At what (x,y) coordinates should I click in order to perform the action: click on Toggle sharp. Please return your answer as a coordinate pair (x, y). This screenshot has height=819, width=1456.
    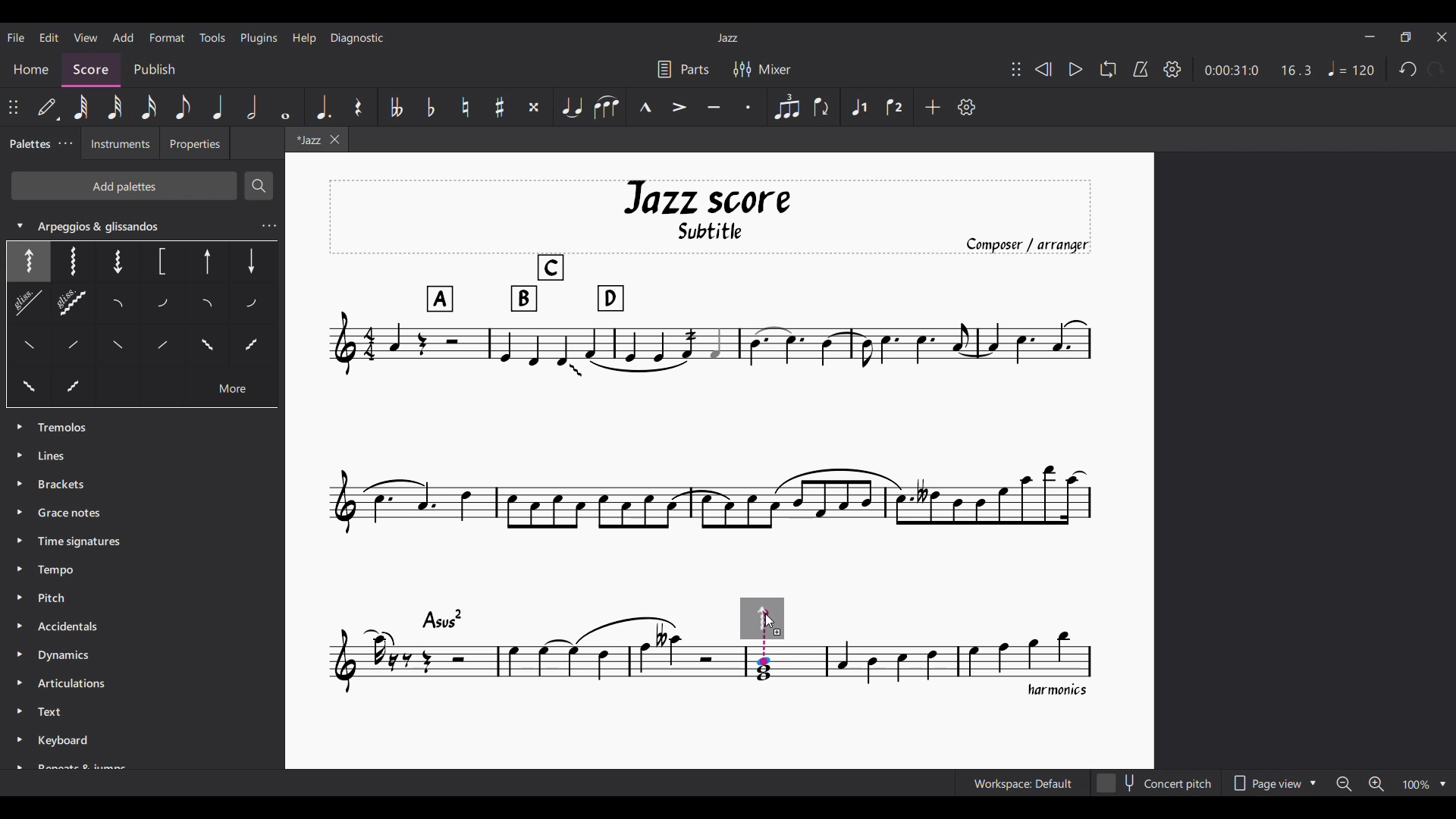
    Looking at the image, I should click on (500, 107).